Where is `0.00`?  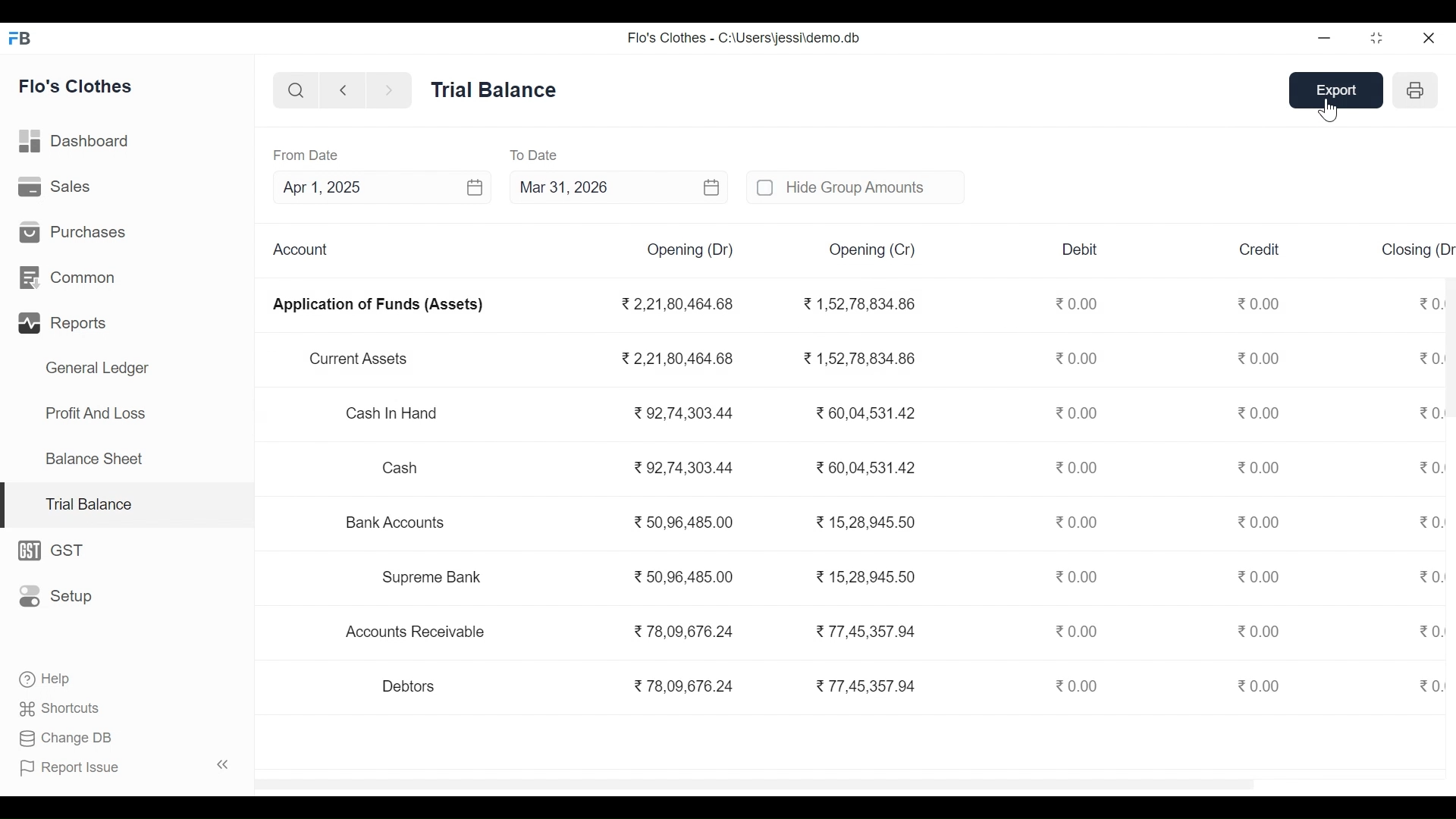 0.00 is located at coordinates (1259, 576).